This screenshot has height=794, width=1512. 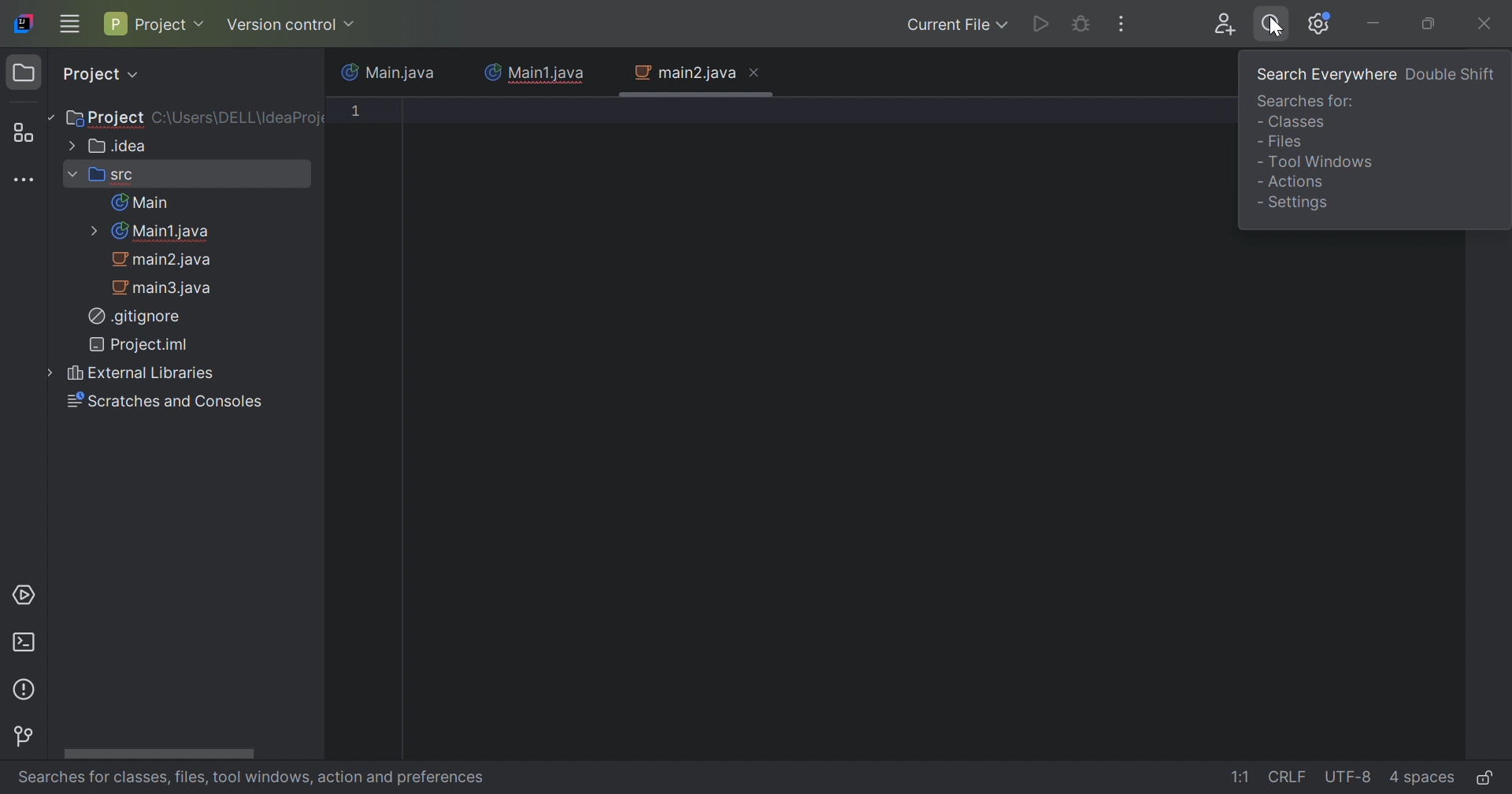 What do you see at coordinates (1040, 24) in the screenshot?
I see `Run` at bounding box center [1040, 24].